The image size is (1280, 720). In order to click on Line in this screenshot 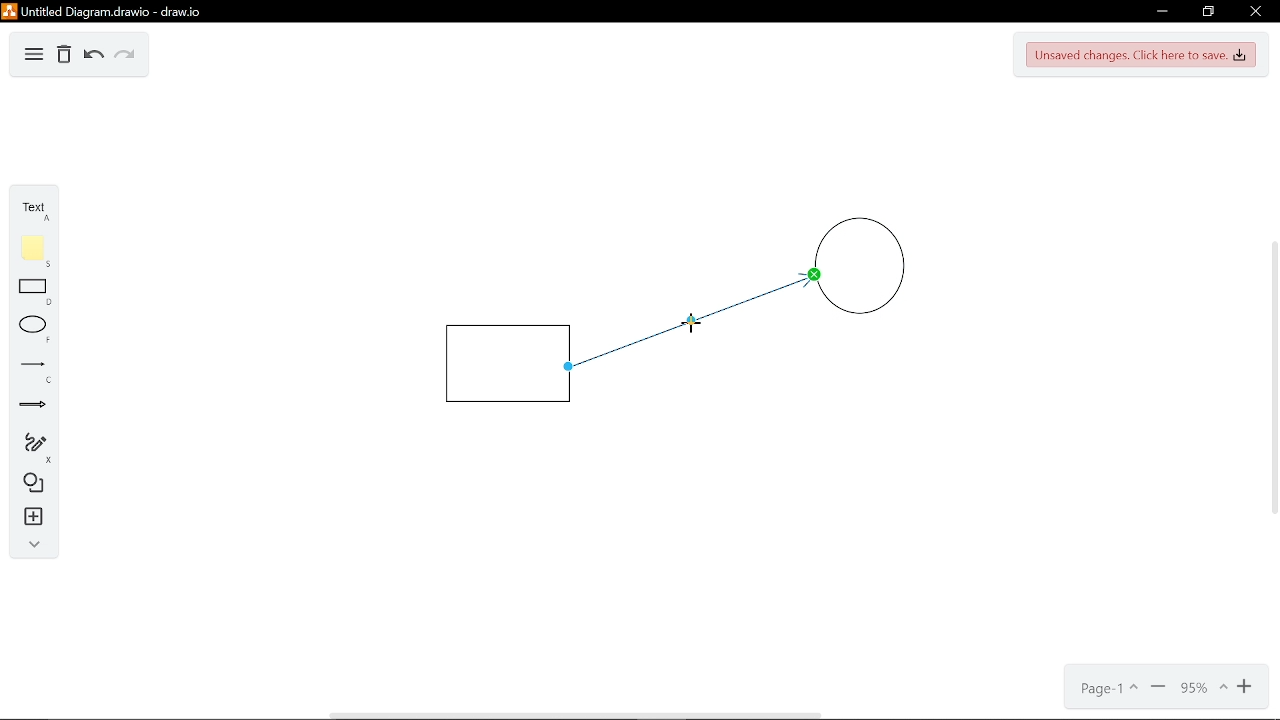, I will do `click(30, 367)`.